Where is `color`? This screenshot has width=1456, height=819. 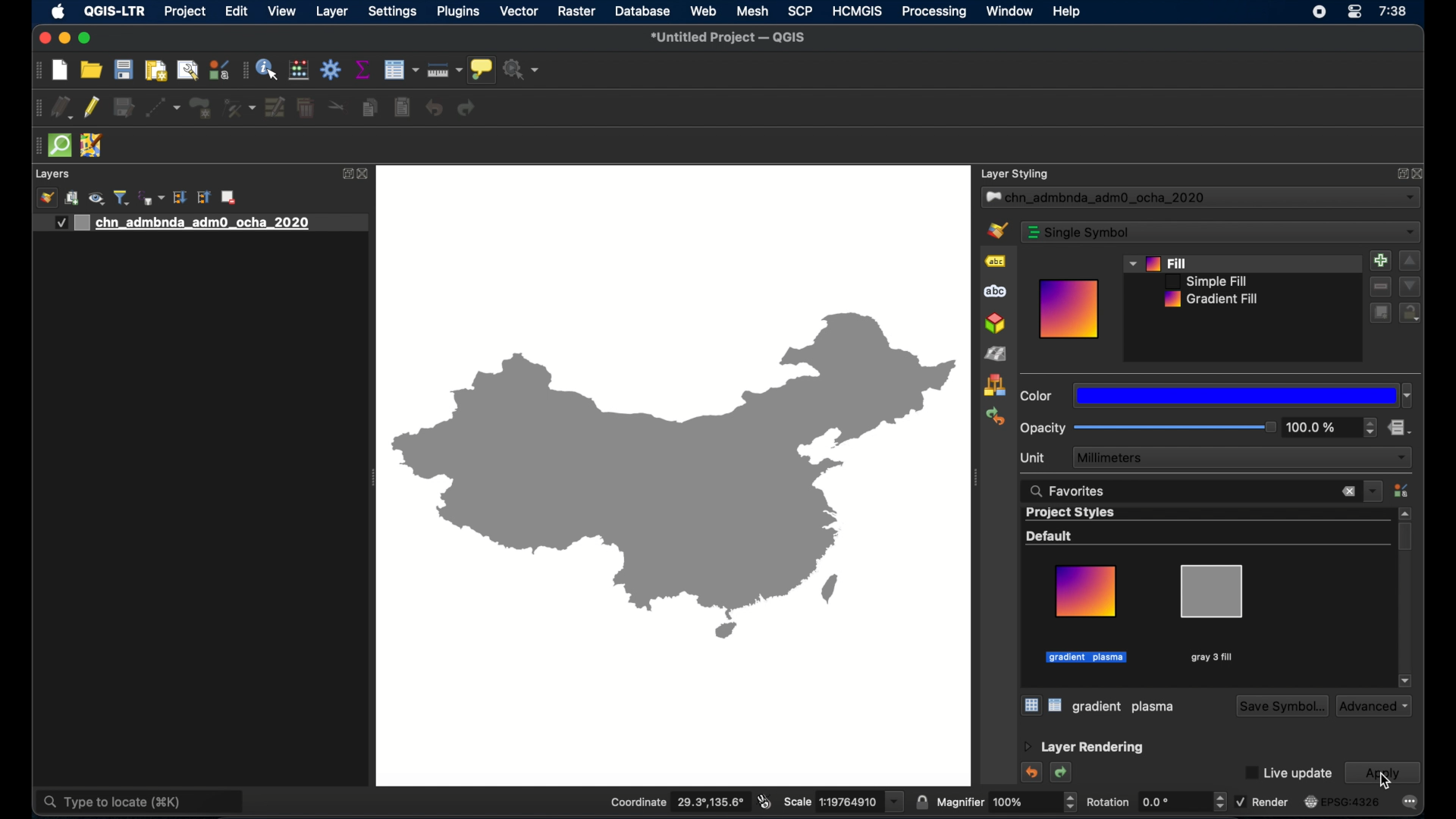
color is located at coordinates (1037, 396).